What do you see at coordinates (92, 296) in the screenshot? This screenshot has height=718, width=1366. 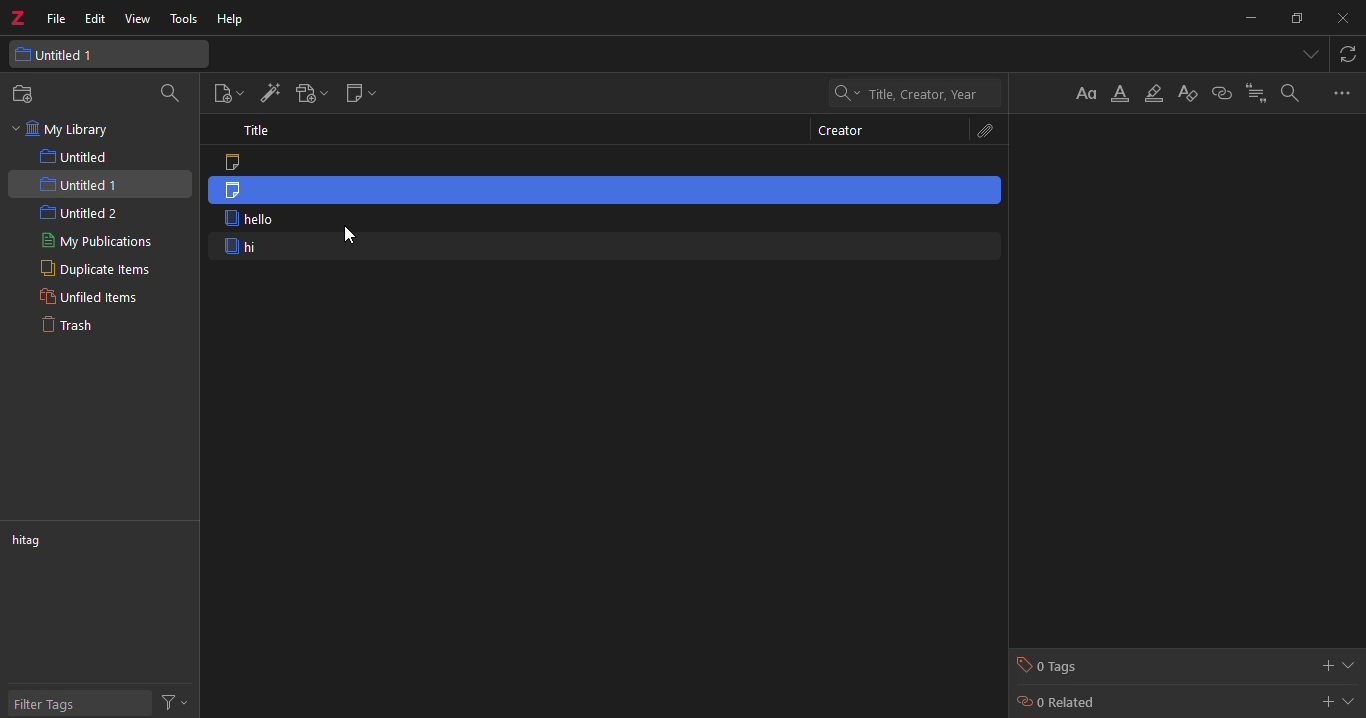 I see `unfiled items` at bounding box center [92, 296].